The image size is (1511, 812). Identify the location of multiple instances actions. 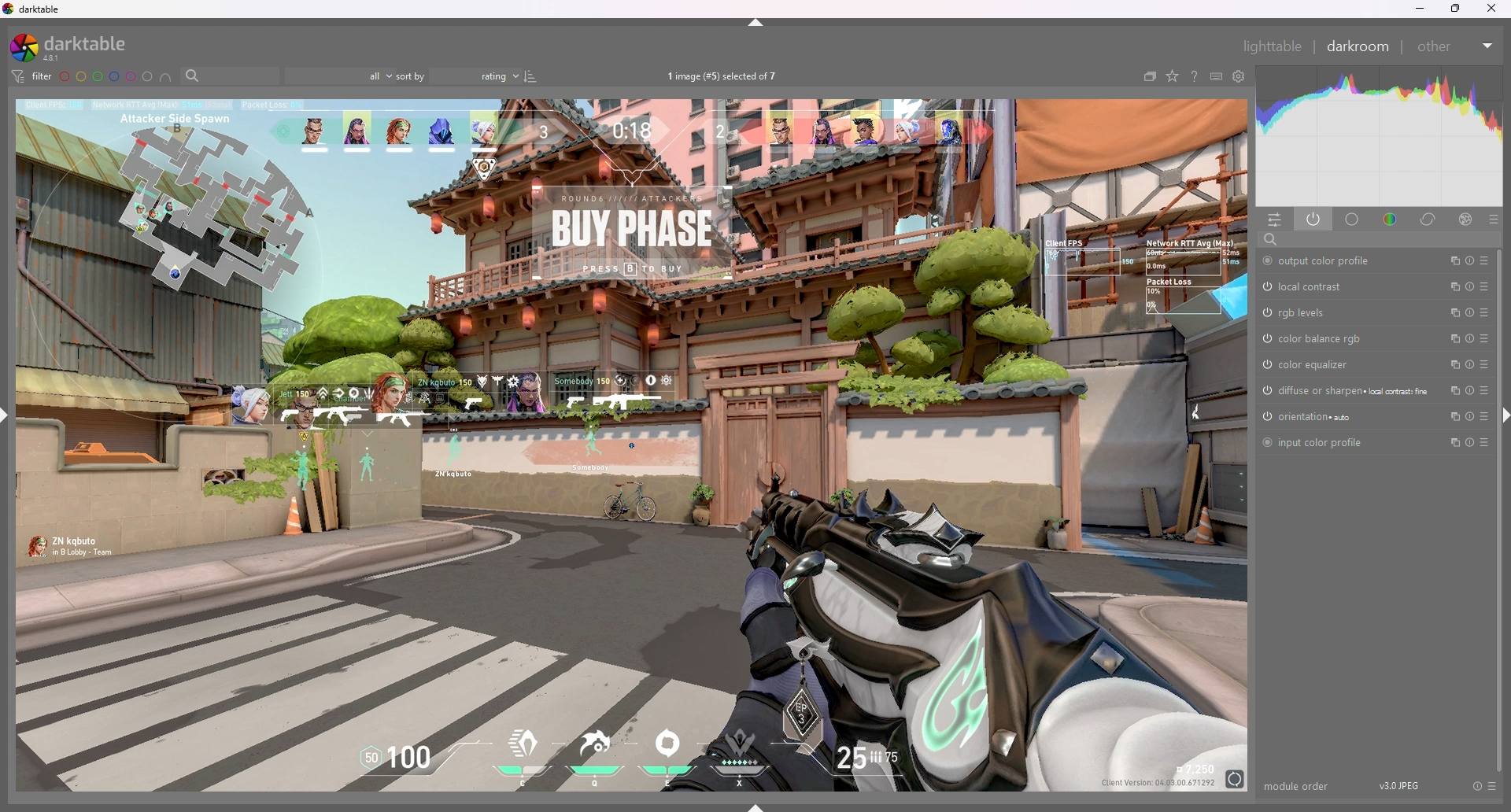
(1450, 260).